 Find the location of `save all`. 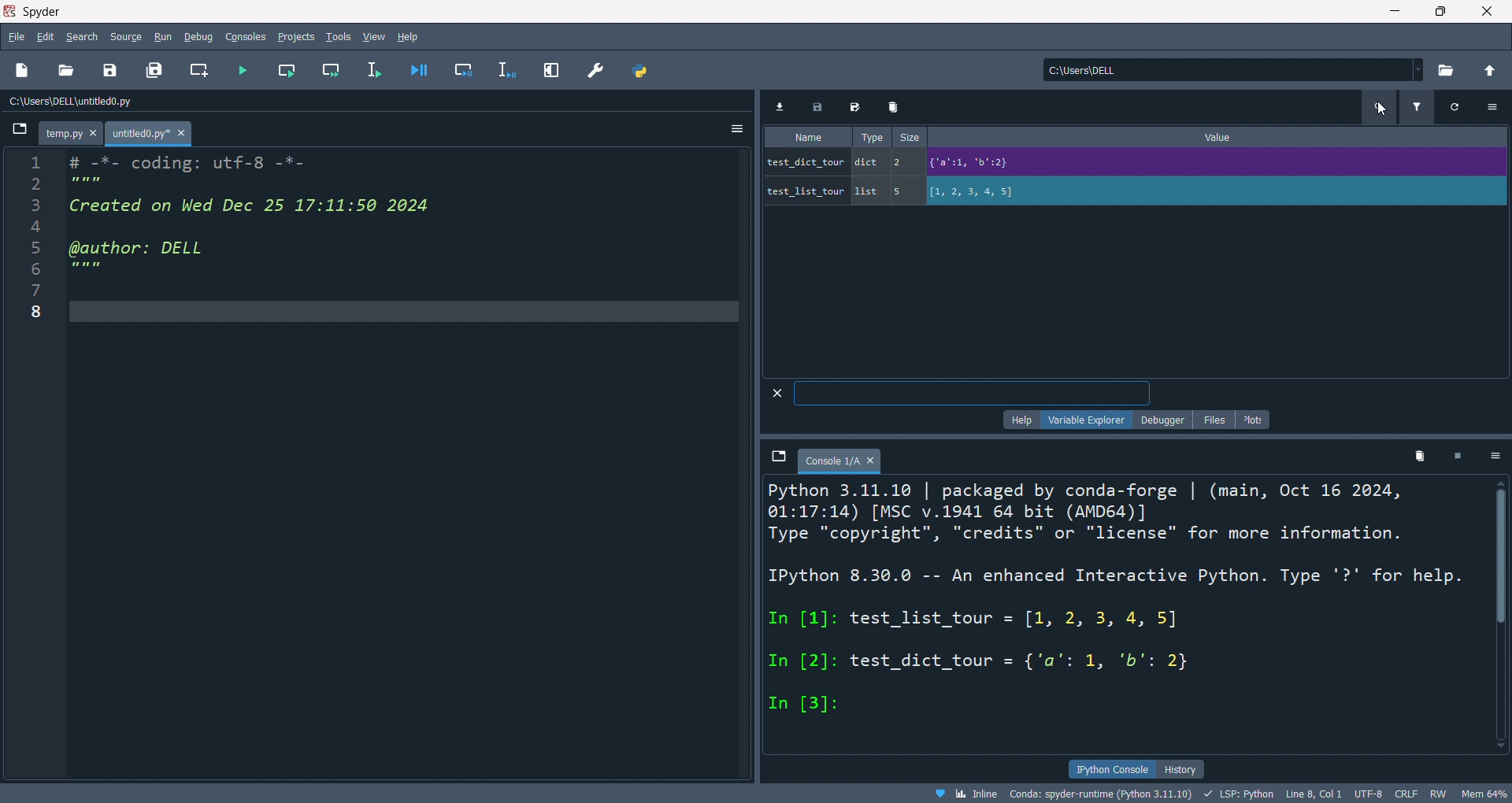

save all is located at coordinates (151, 69).